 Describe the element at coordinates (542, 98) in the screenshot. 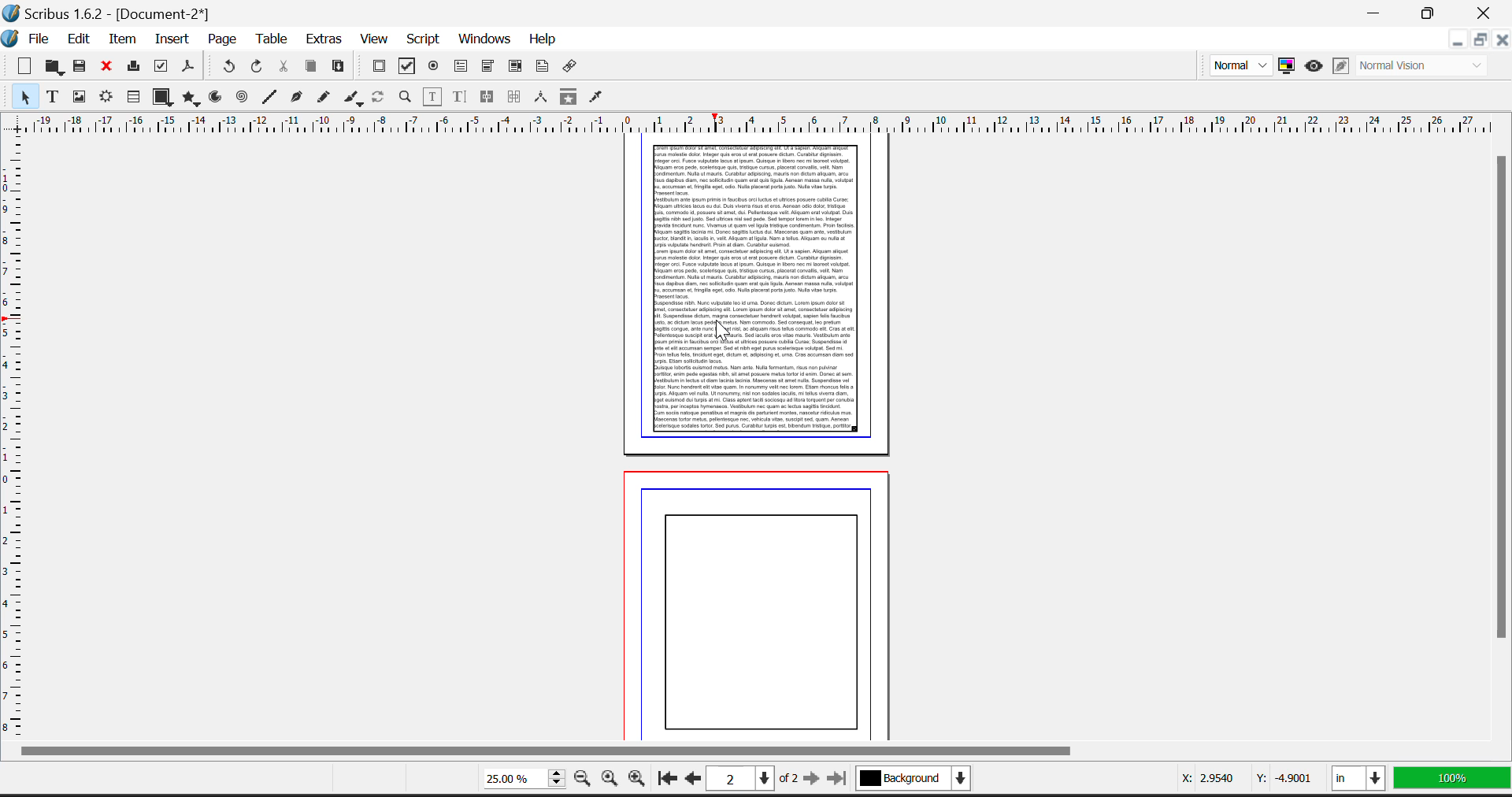

I see `Measurements` at that location.